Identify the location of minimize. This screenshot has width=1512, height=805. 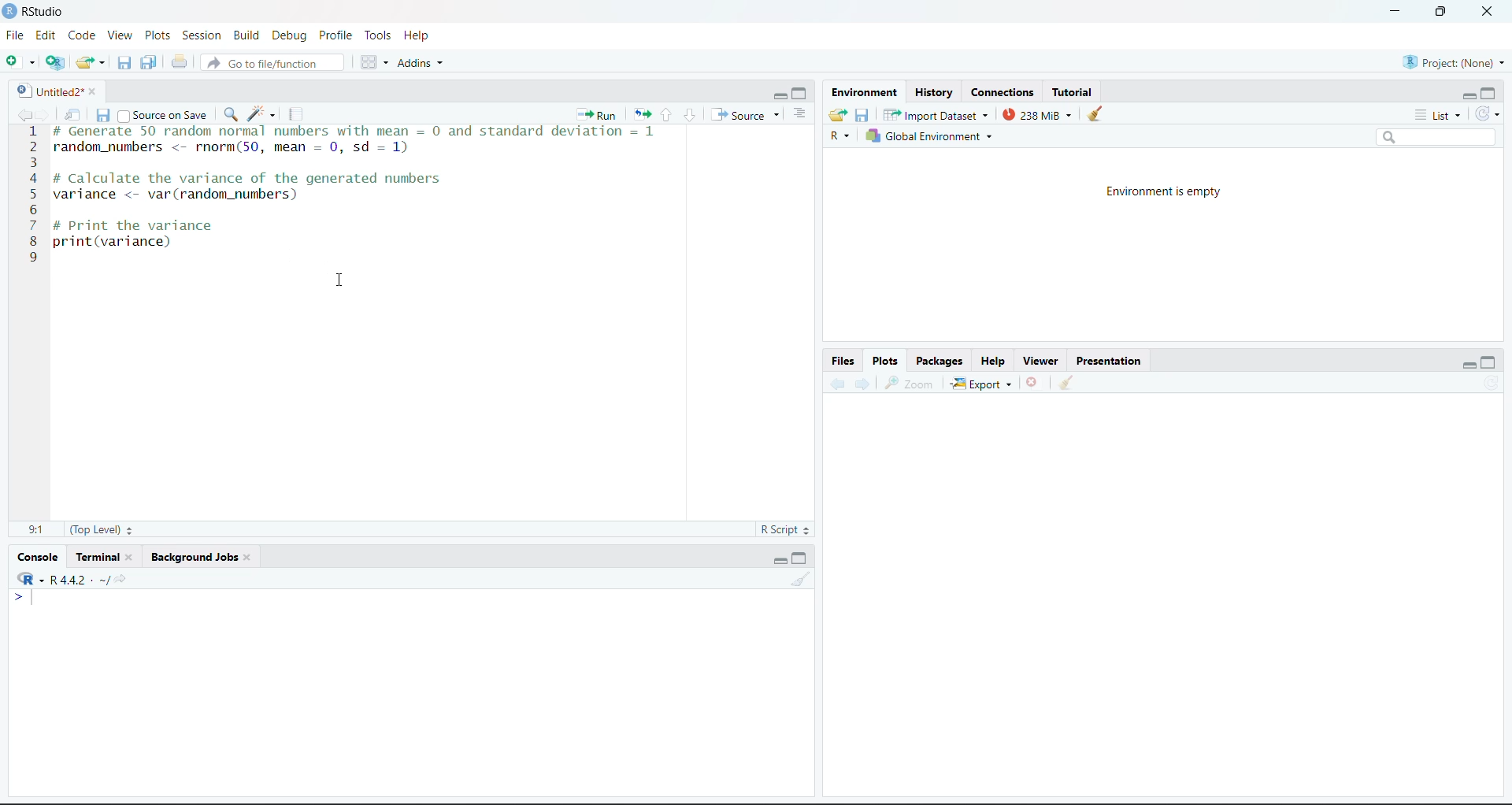
(1395, 12).